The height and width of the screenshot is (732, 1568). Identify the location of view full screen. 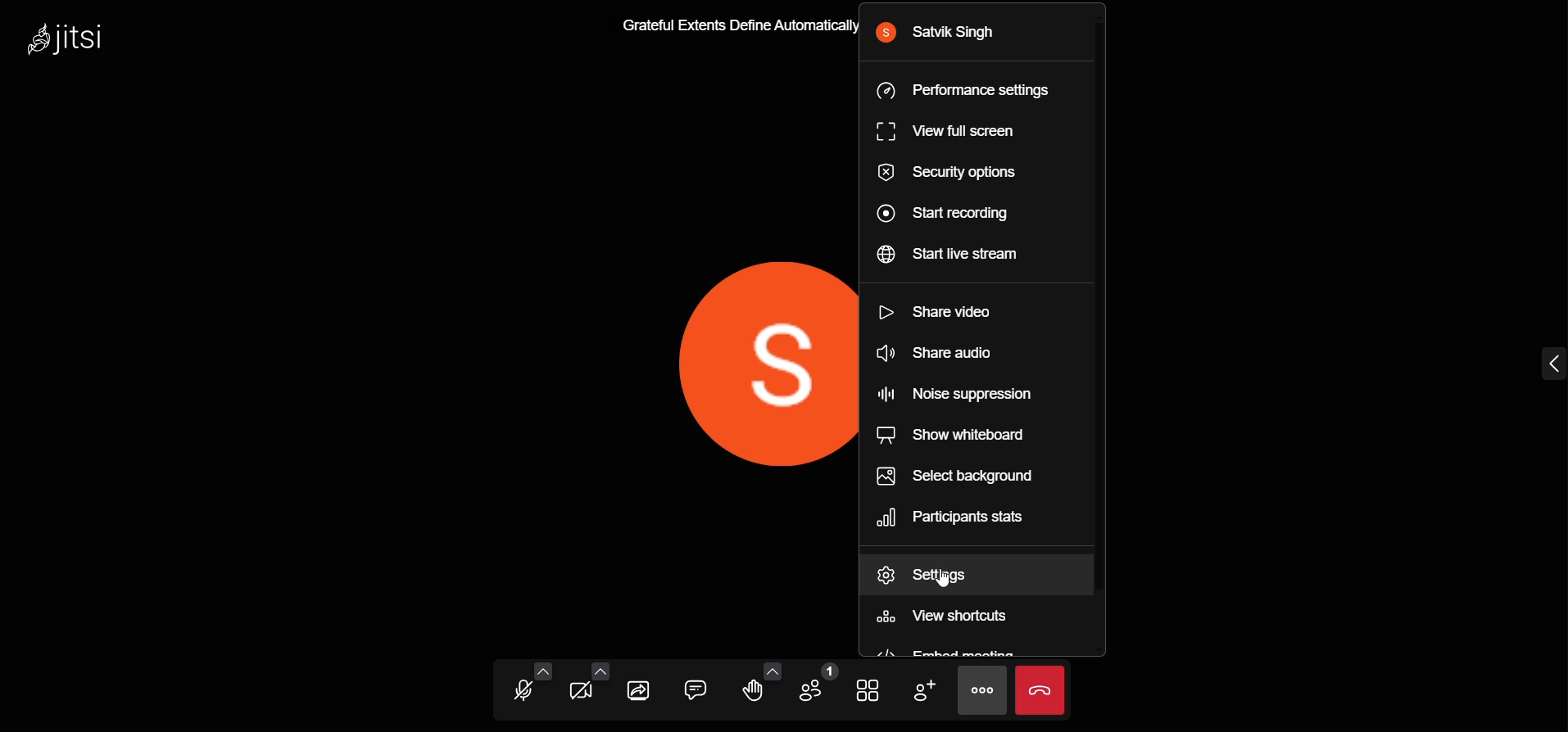
(954, 132).